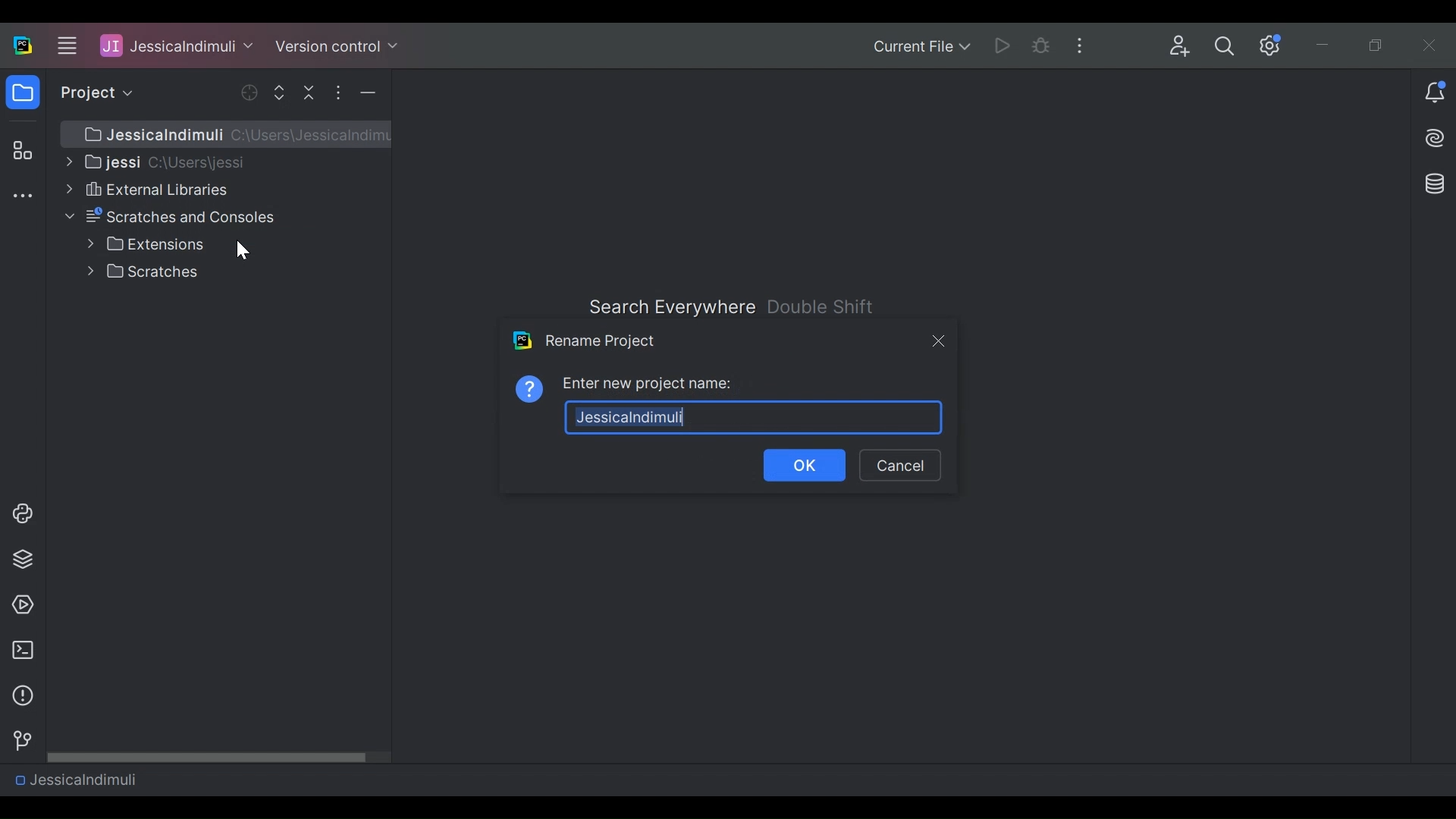 The height and width of the screenshot is (819, 1456). What do you see at coordinates (1042, 45) in the screenshot?
I see `Debug` at bounding box center [1042, 45].